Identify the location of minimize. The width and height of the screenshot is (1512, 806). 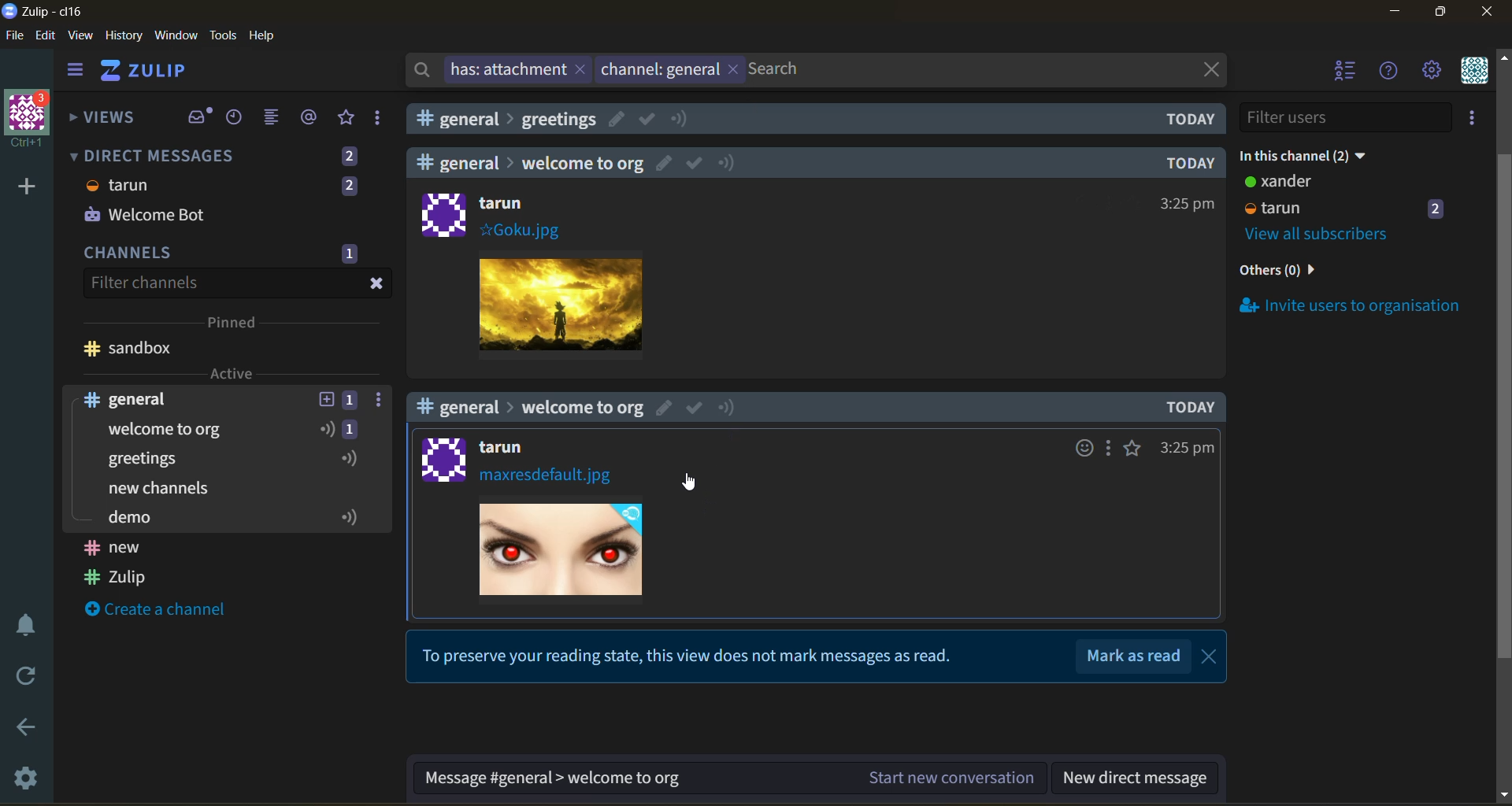
(1395, 12).